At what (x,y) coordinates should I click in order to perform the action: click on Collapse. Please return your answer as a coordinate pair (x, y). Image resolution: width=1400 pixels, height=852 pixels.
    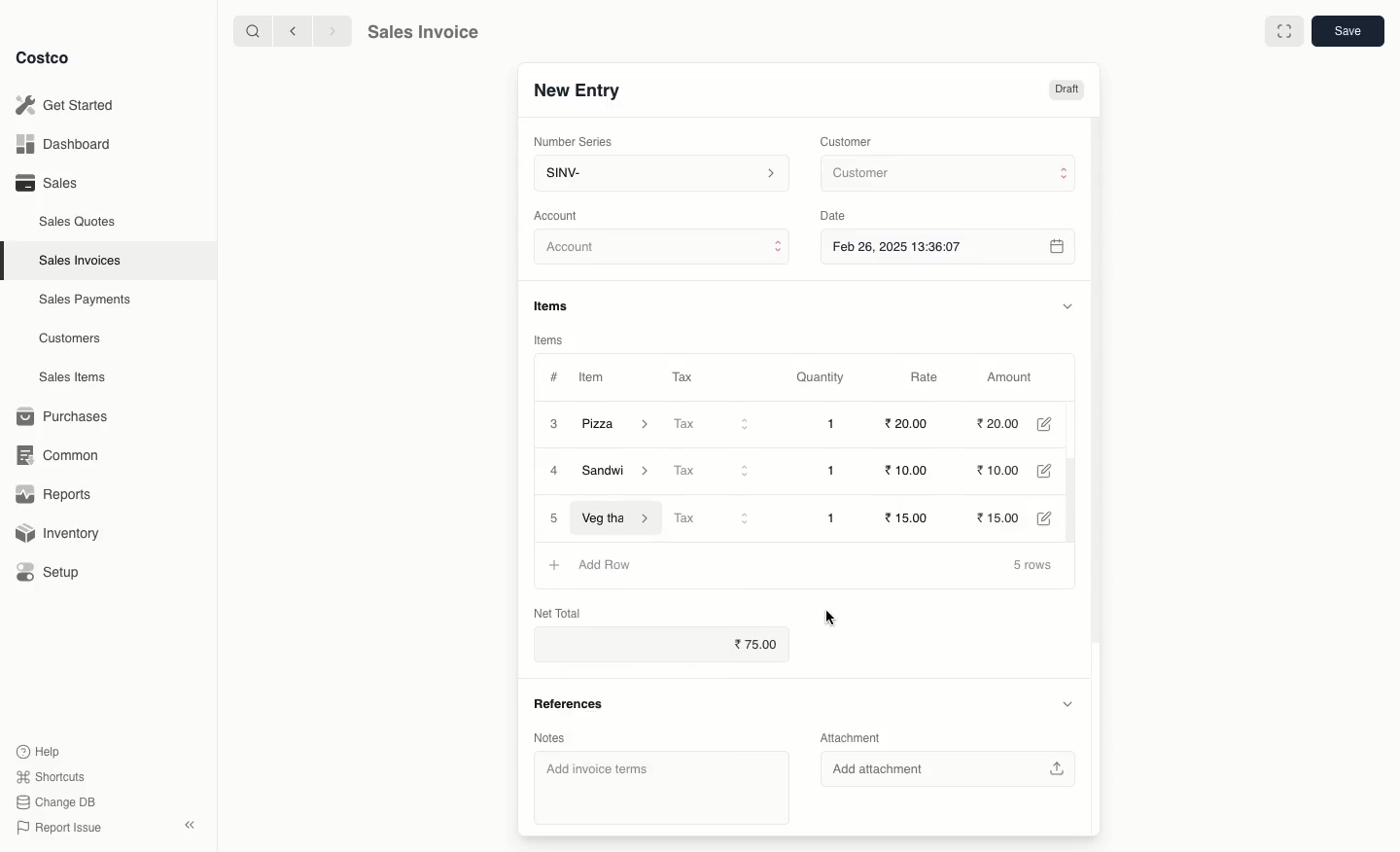
    Looking at the image, I should click on (192, 826).